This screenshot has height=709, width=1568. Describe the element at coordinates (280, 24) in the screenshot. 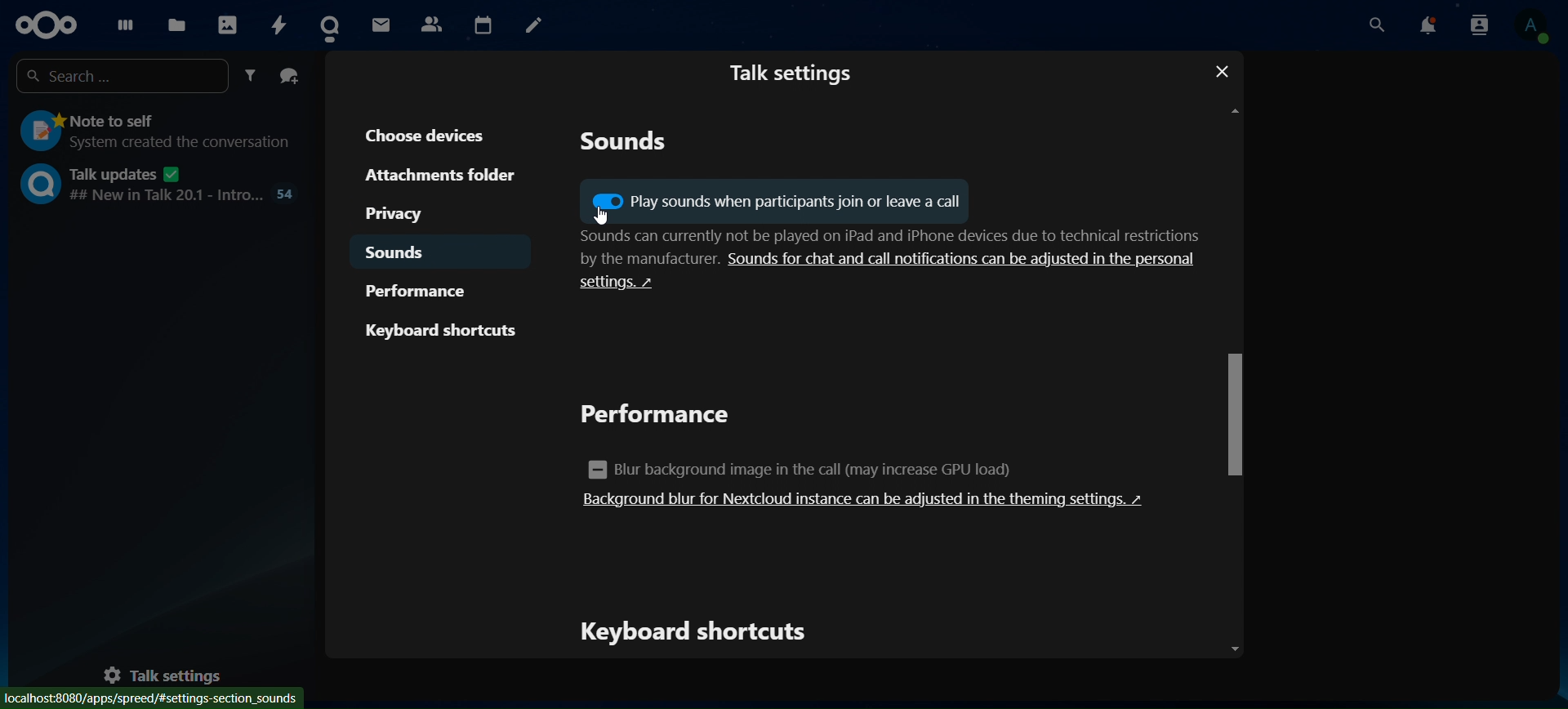

I see `activity` at that location.